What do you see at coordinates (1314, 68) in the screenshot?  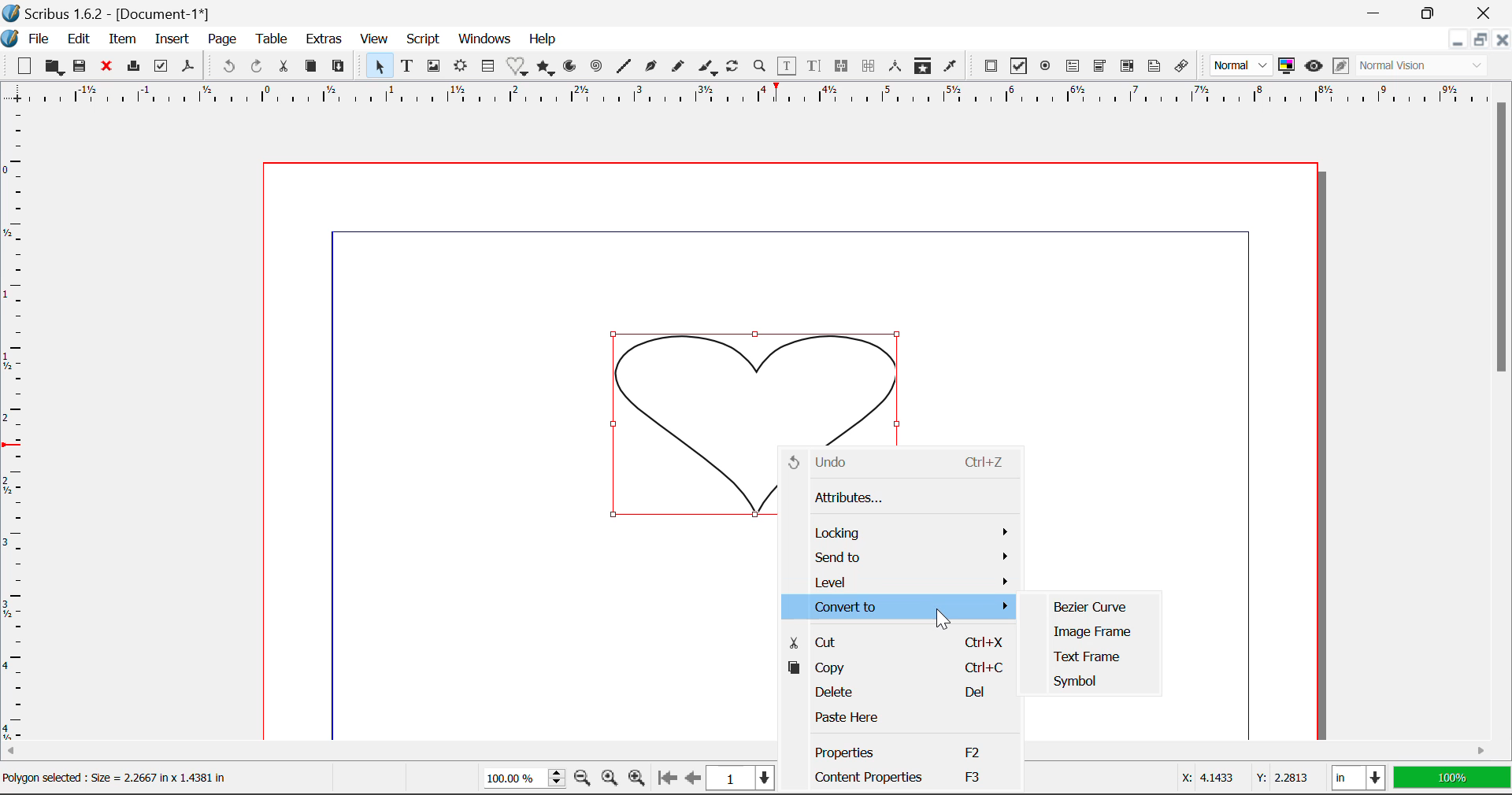 I see `Preview Mode` at bounding box center [1314, 68].